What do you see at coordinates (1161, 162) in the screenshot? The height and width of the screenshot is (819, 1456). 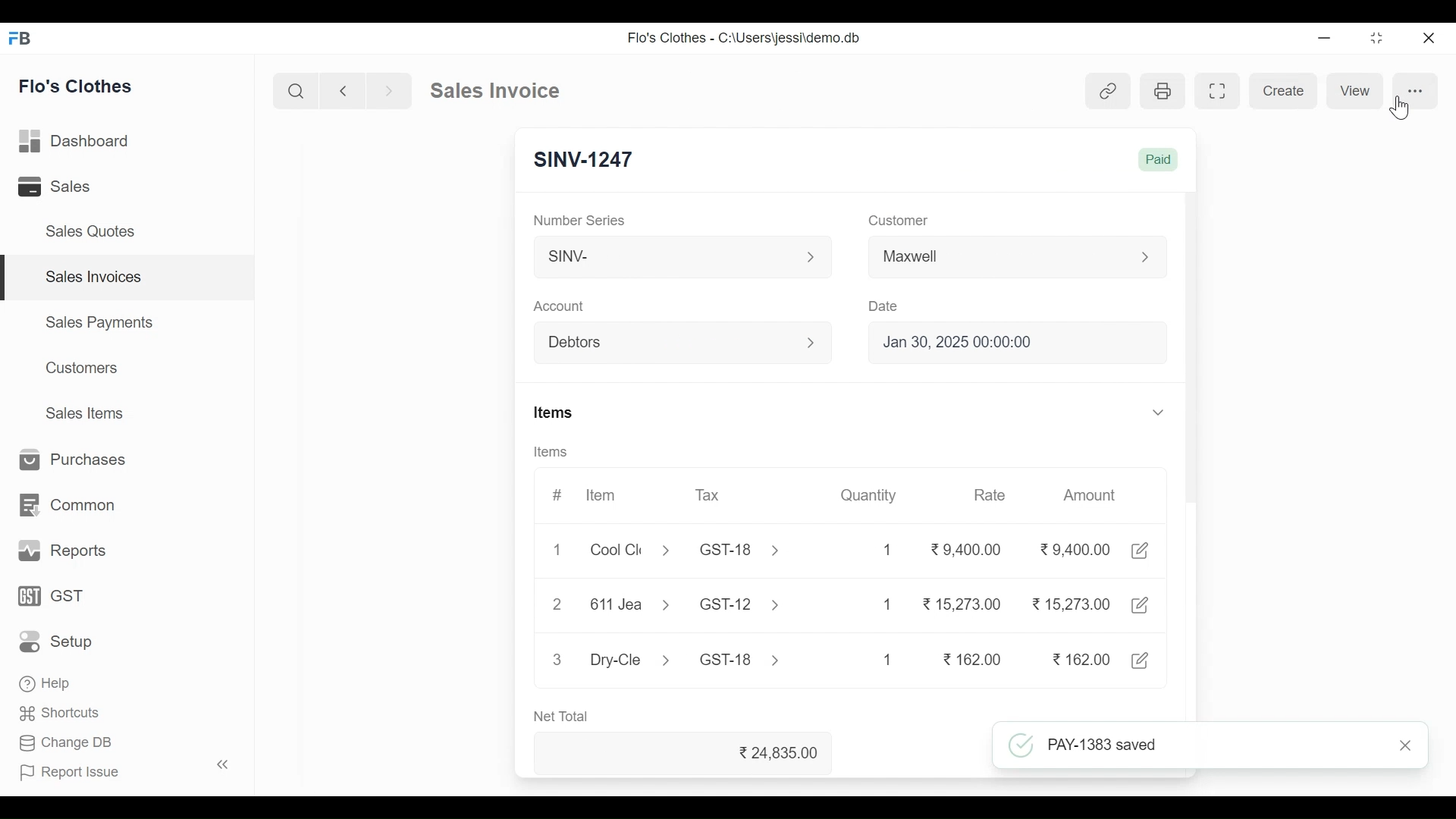 I see `Paid` at bounding box center [1161, 162].